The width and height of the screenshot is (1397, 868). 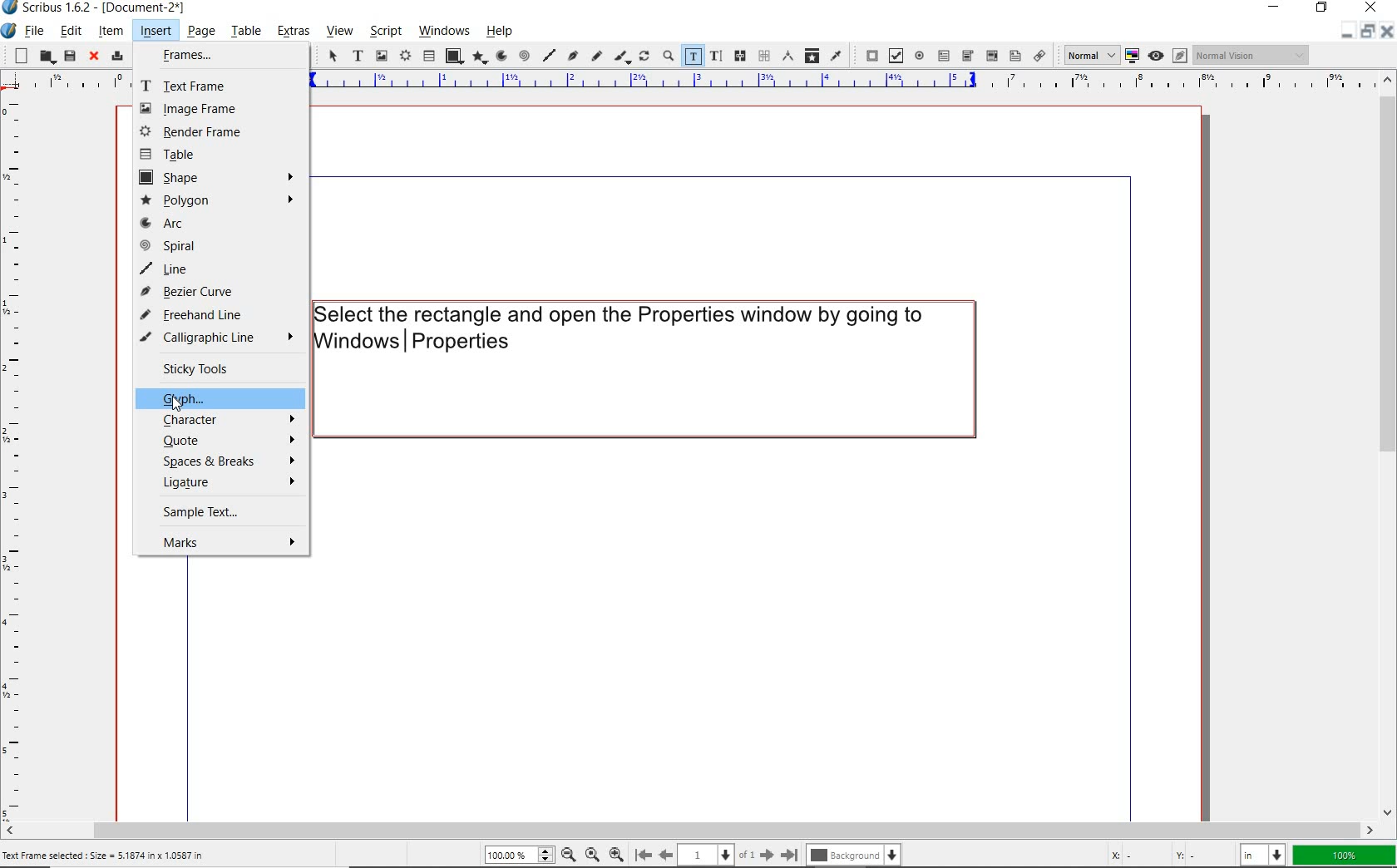 What do you see at coordinates (1366, 32) in the screenshot?
I see `maximise` at bounding box center [1366, 32].